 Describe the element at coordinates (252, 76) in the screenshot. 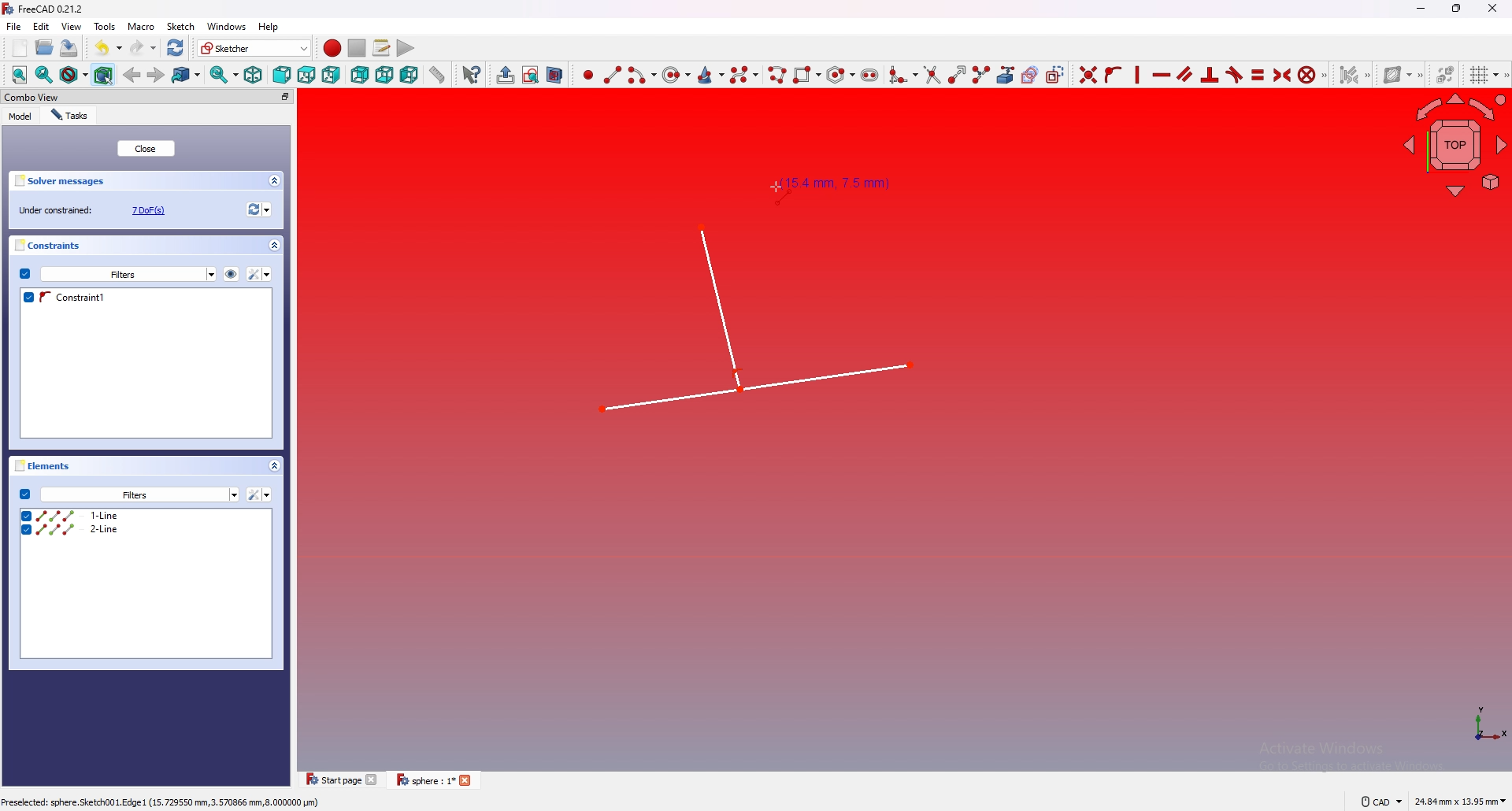

I see `Isometric` at that location.